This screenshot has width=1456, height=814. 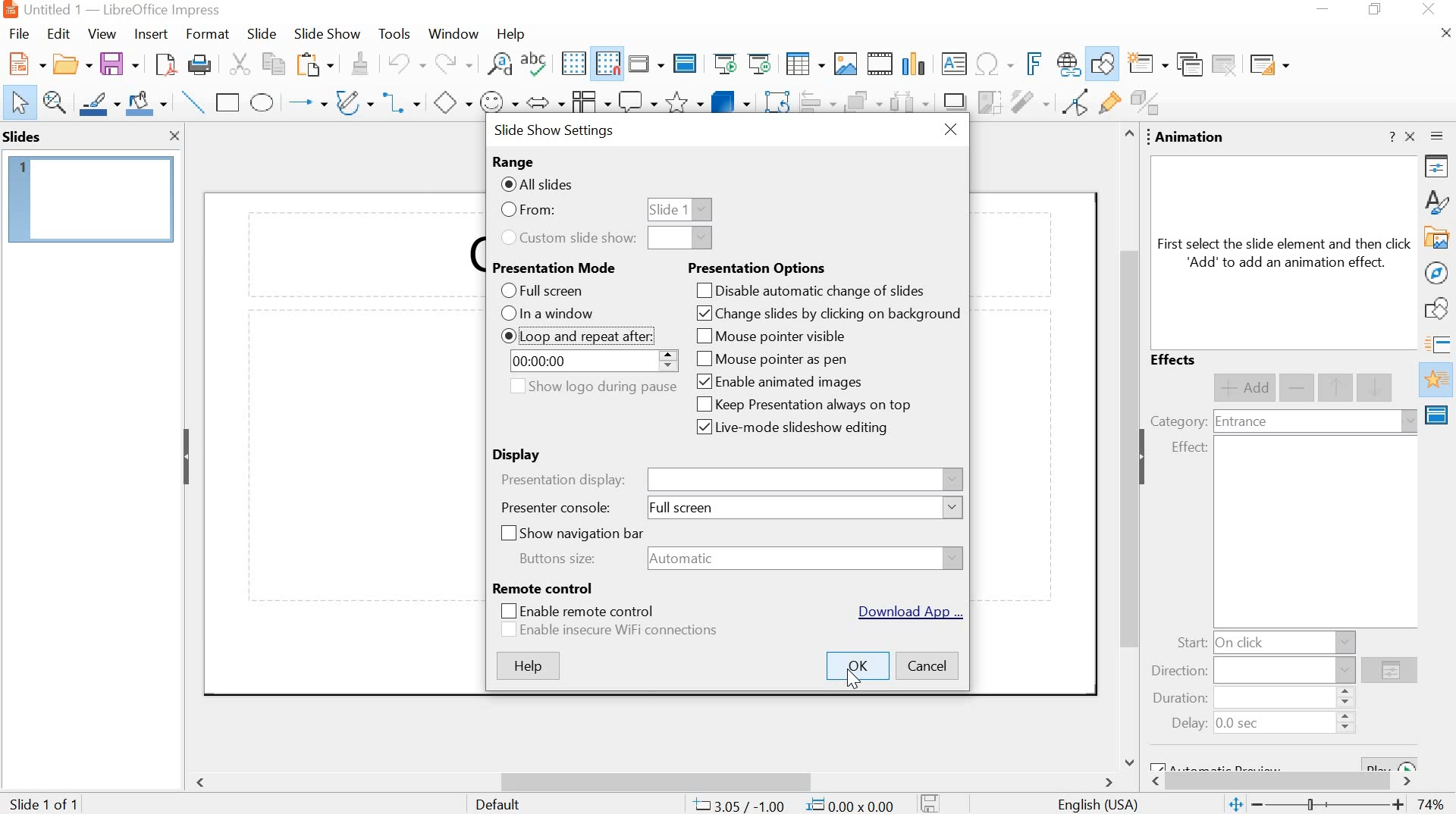 I want to click on move down, so click(x=1376, y=387).